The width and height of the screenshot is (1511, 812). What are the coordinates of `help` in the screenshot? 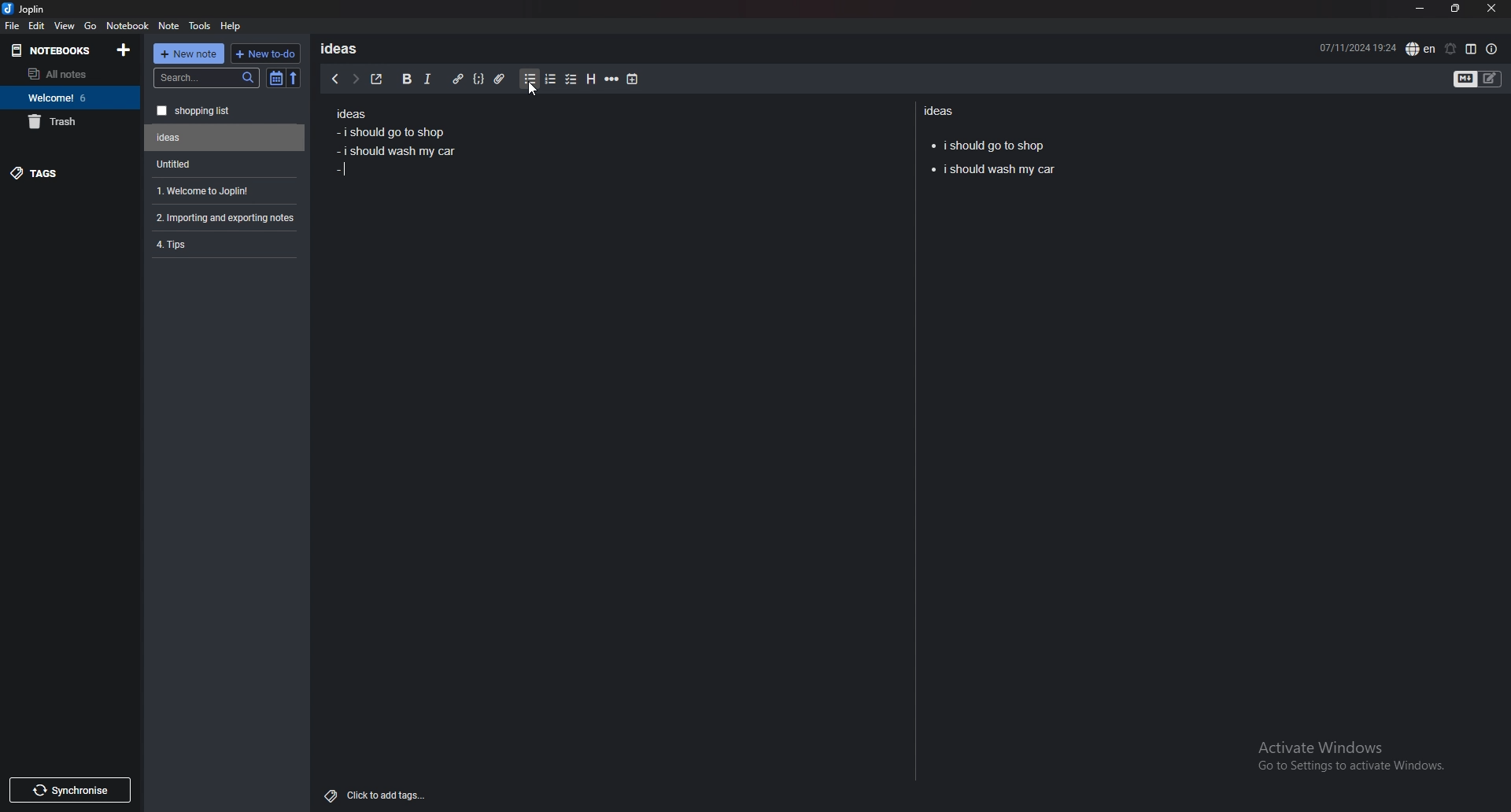 It's located at (231, 25).